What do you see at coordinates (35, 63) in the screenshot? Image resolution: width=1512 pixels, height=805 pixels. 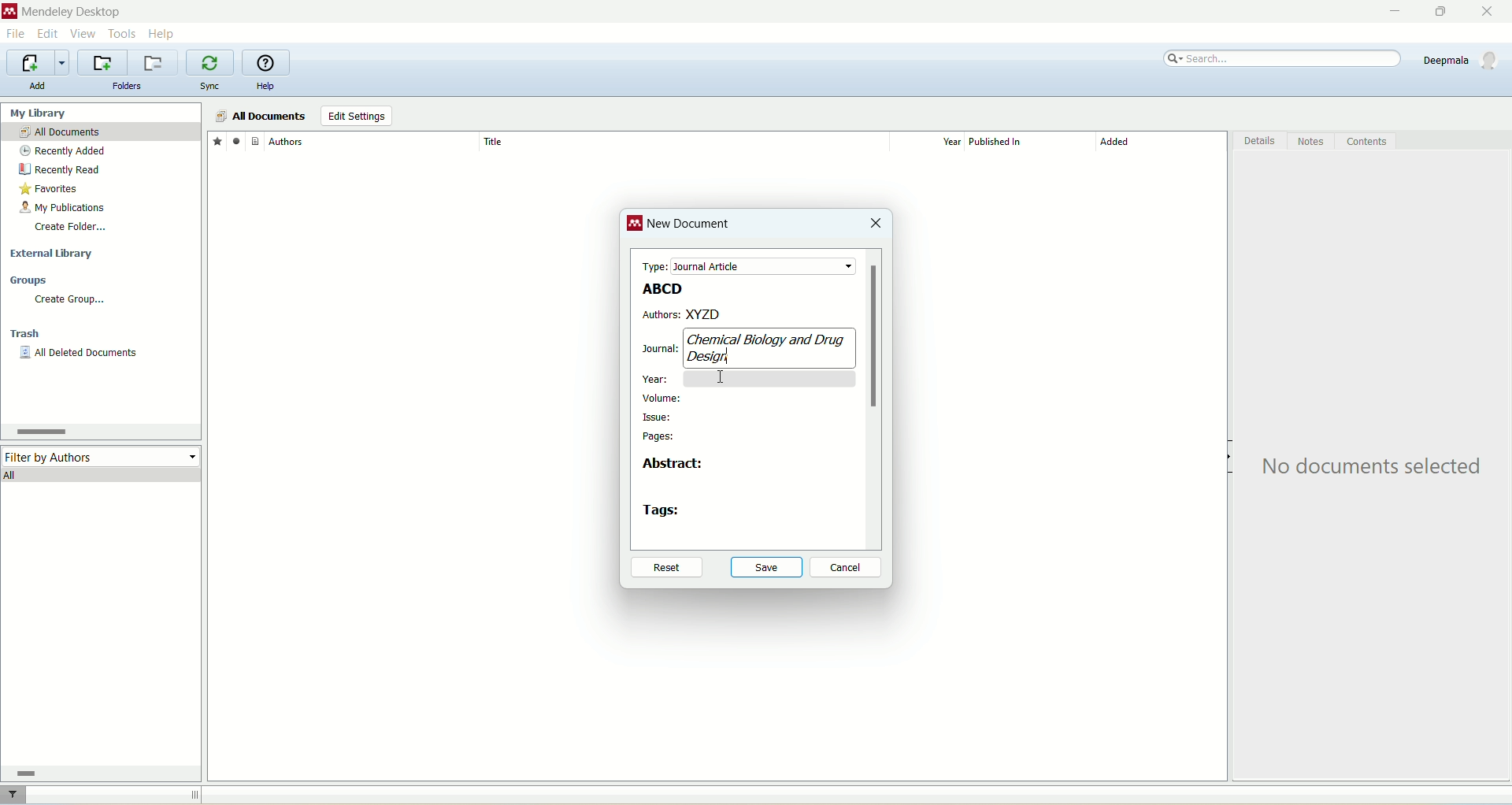 I see `import` at bounding box center [35, 63].